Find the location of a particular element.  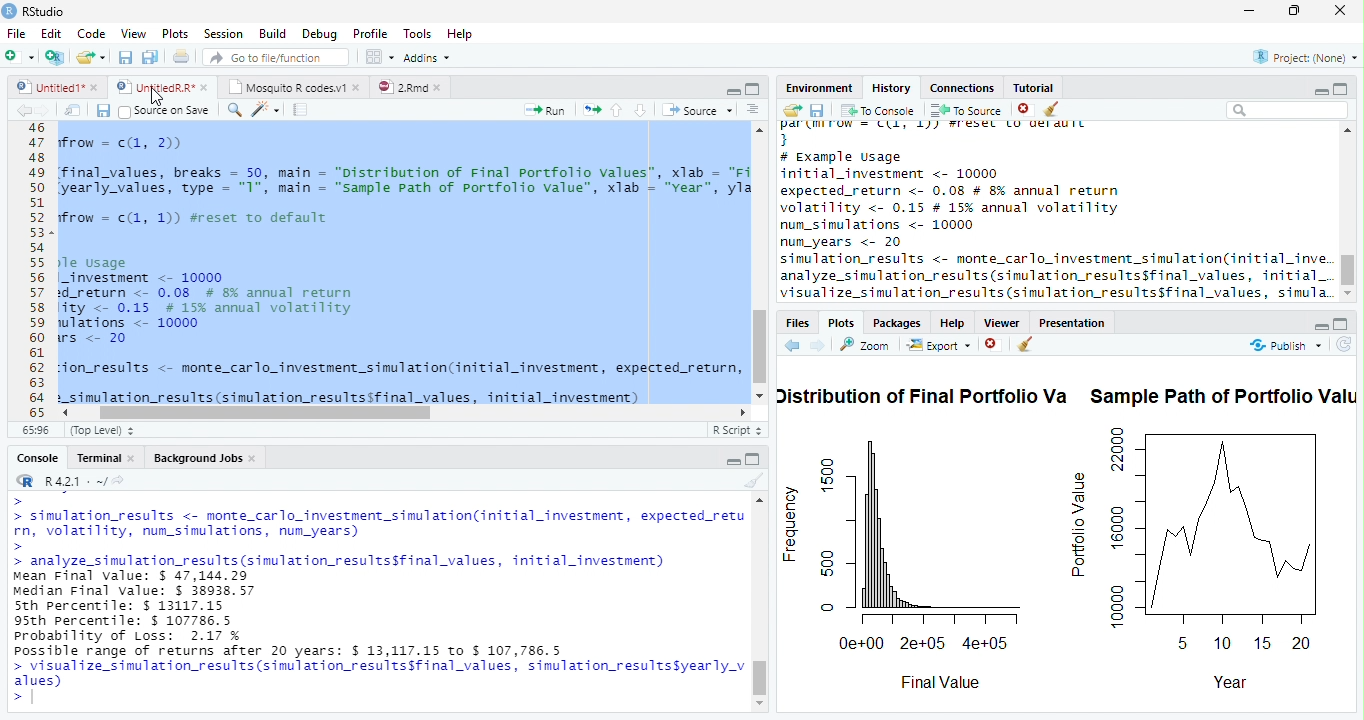

To Console is located at coordinates (877, 110).